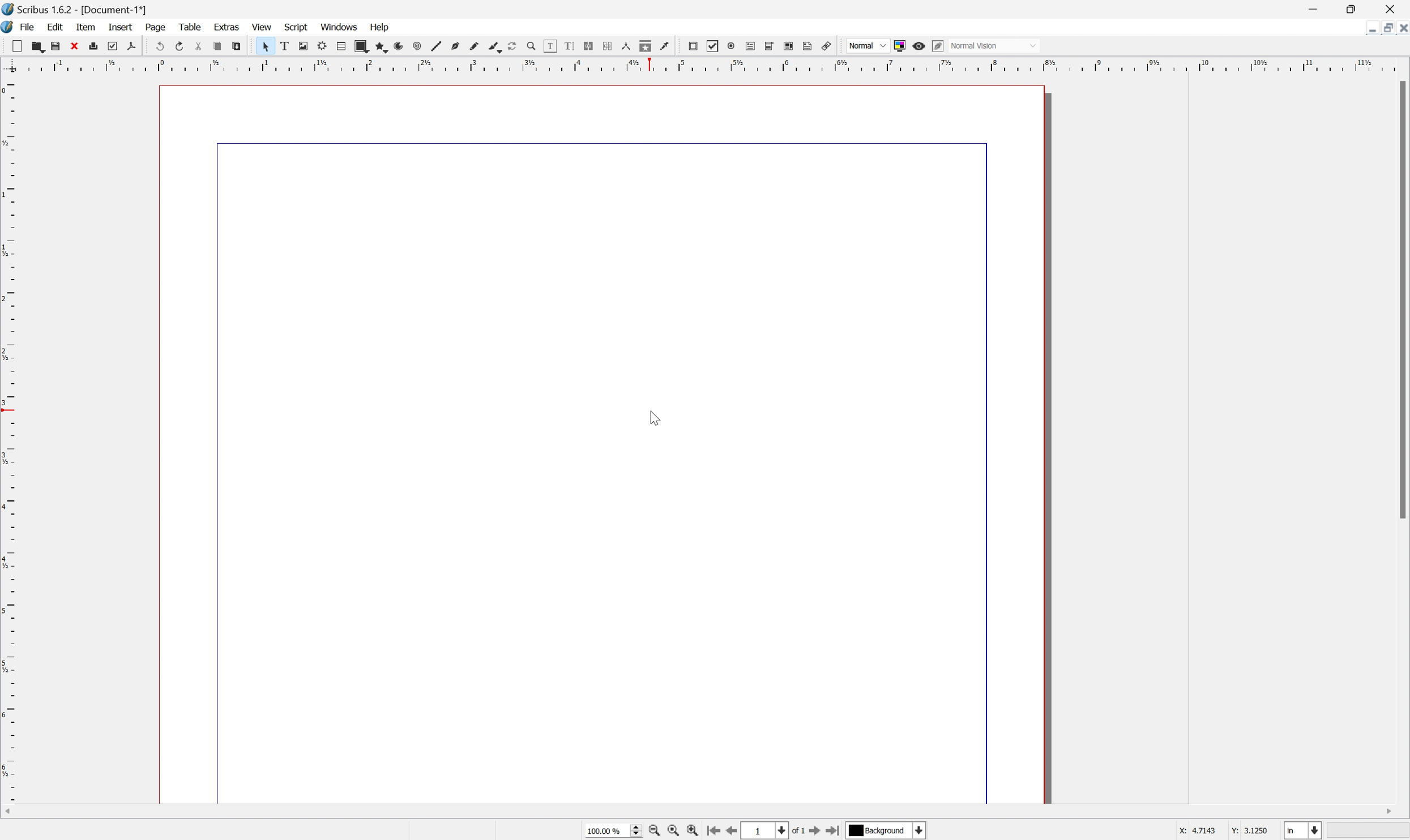 The height and width of the screenshot is (840, 1410). I want to click on freehand line, so click(477, 45).